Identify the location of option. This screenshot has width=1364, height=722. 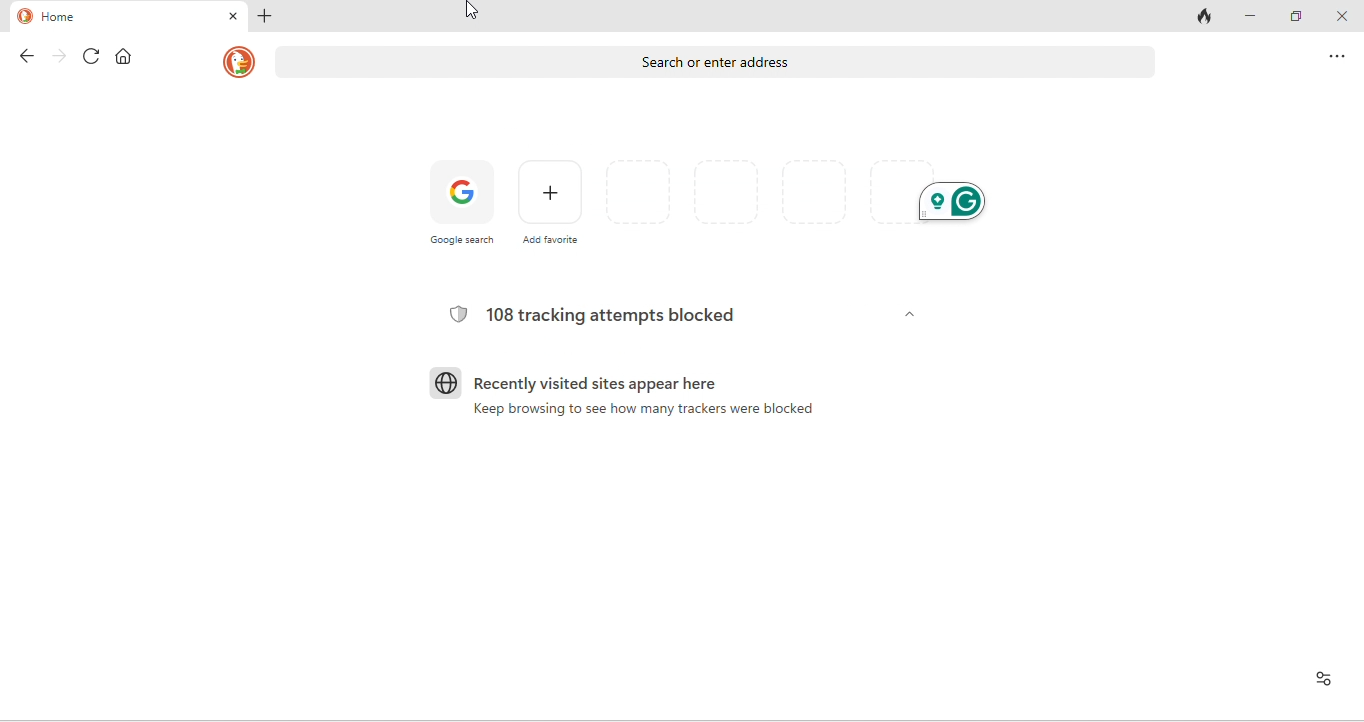
(1336, 60).